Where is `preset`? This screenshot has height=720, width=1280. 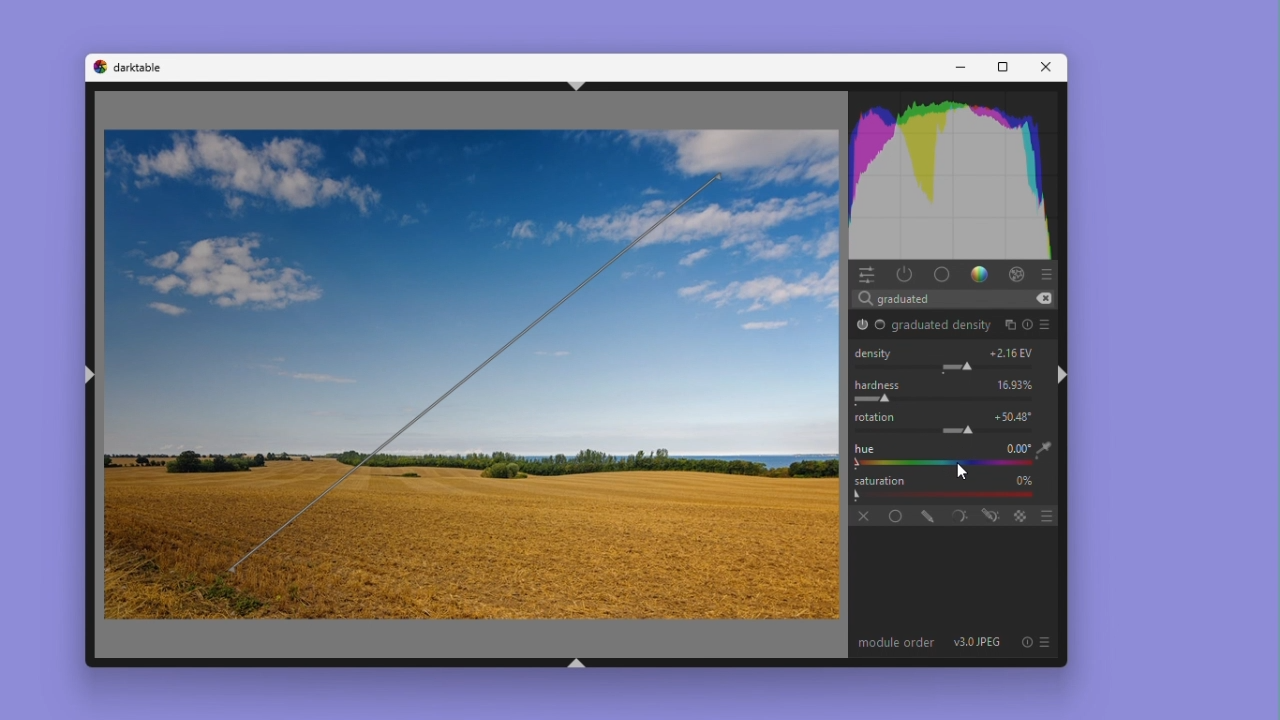 preset is located at coordinates (1046, 642).